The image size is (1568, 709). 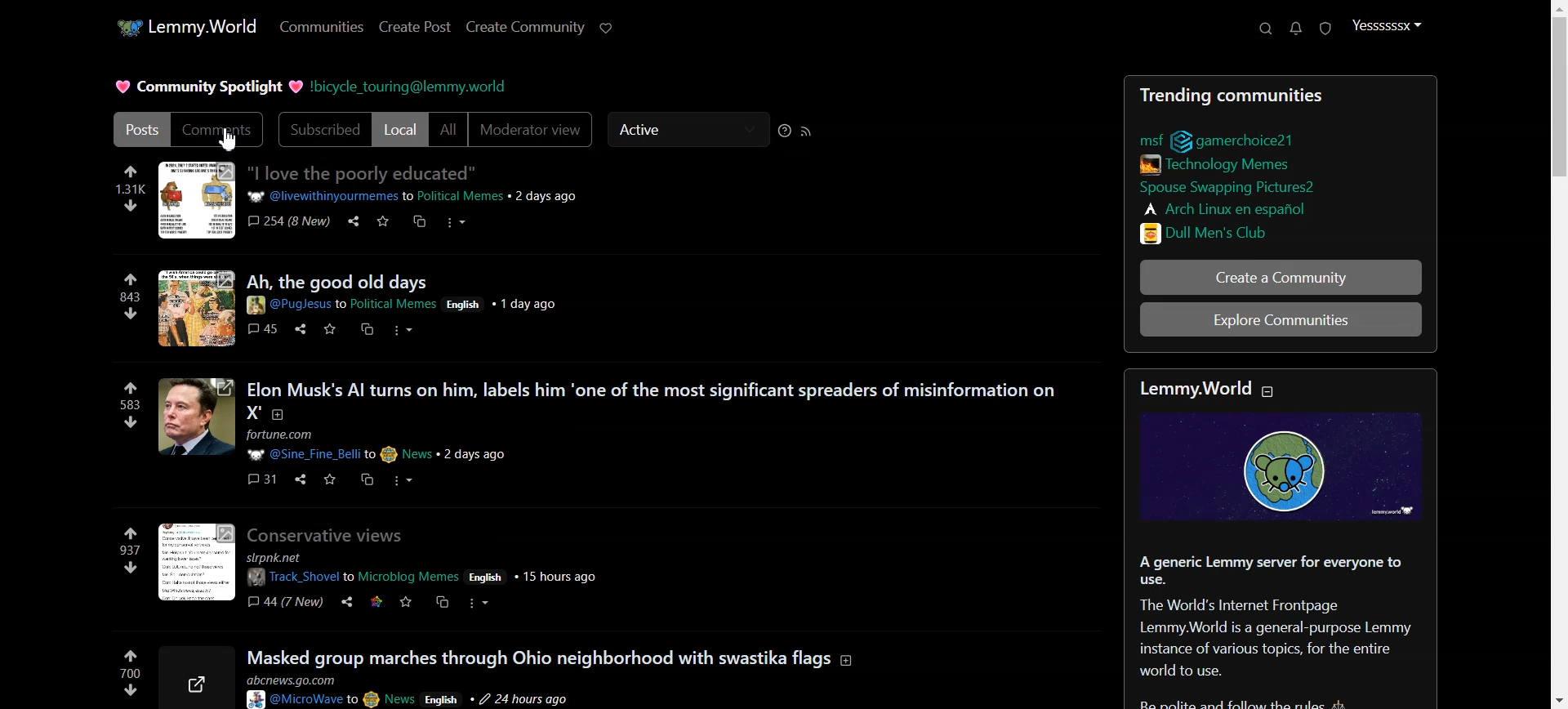 What do you see at coordinates (1224, 207) in the screenshot?
I see `LInks` at bounding box center [1224, 207].